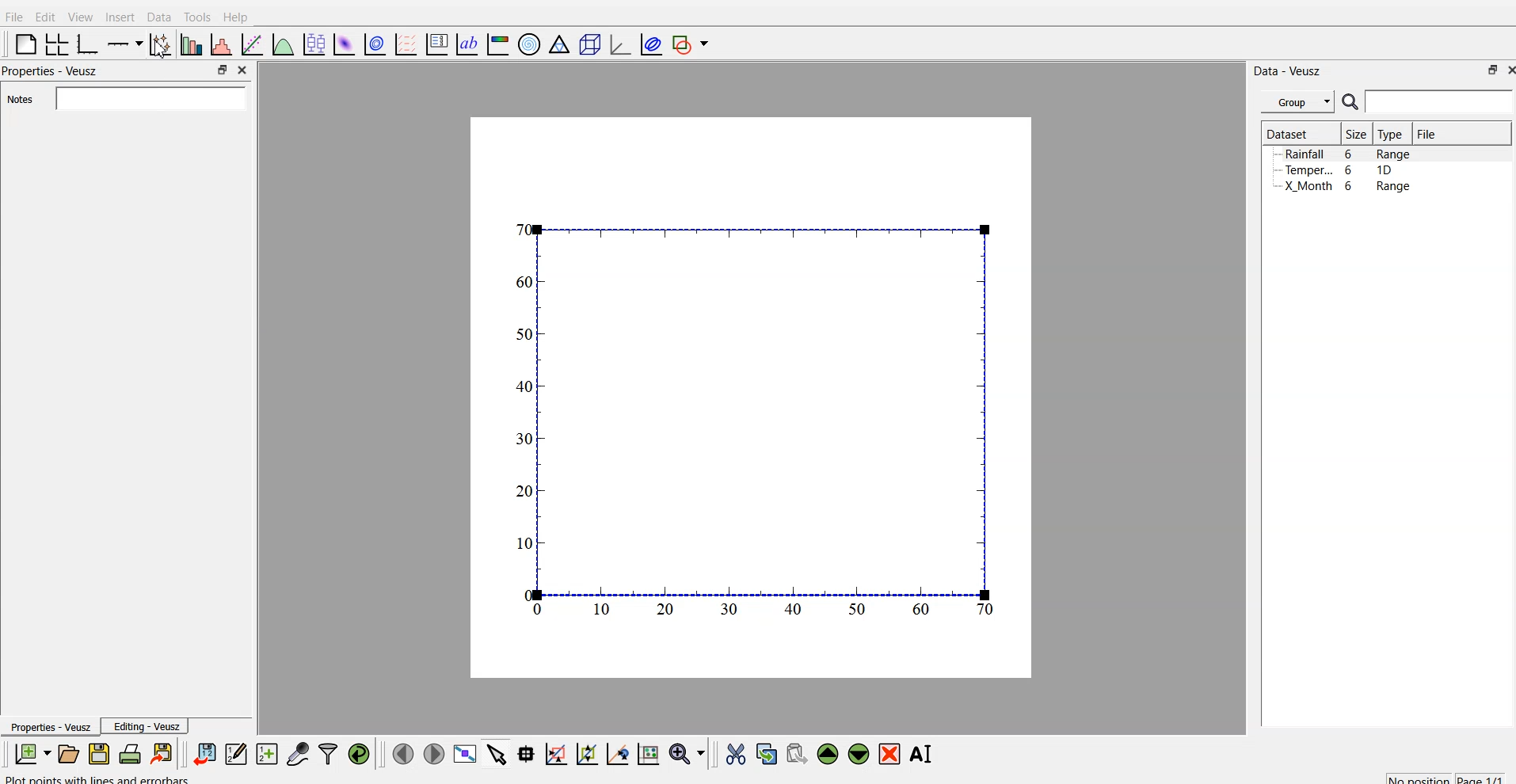  Describe the element at coordinates (1347, 186) in the screenshot. I see `X Month 6 Range` at that location.